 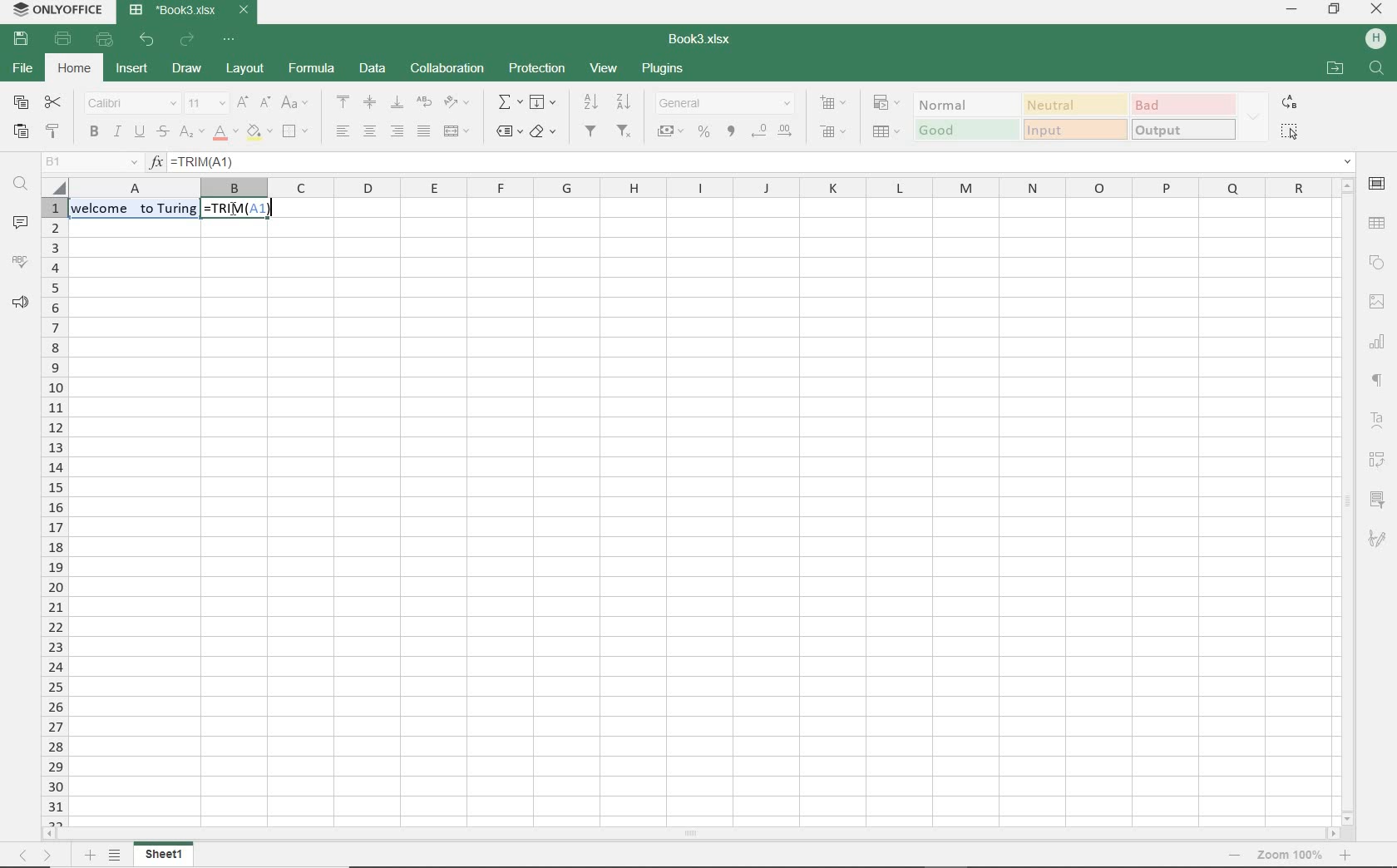 I want to click on cut, so click(x=54, y=102).